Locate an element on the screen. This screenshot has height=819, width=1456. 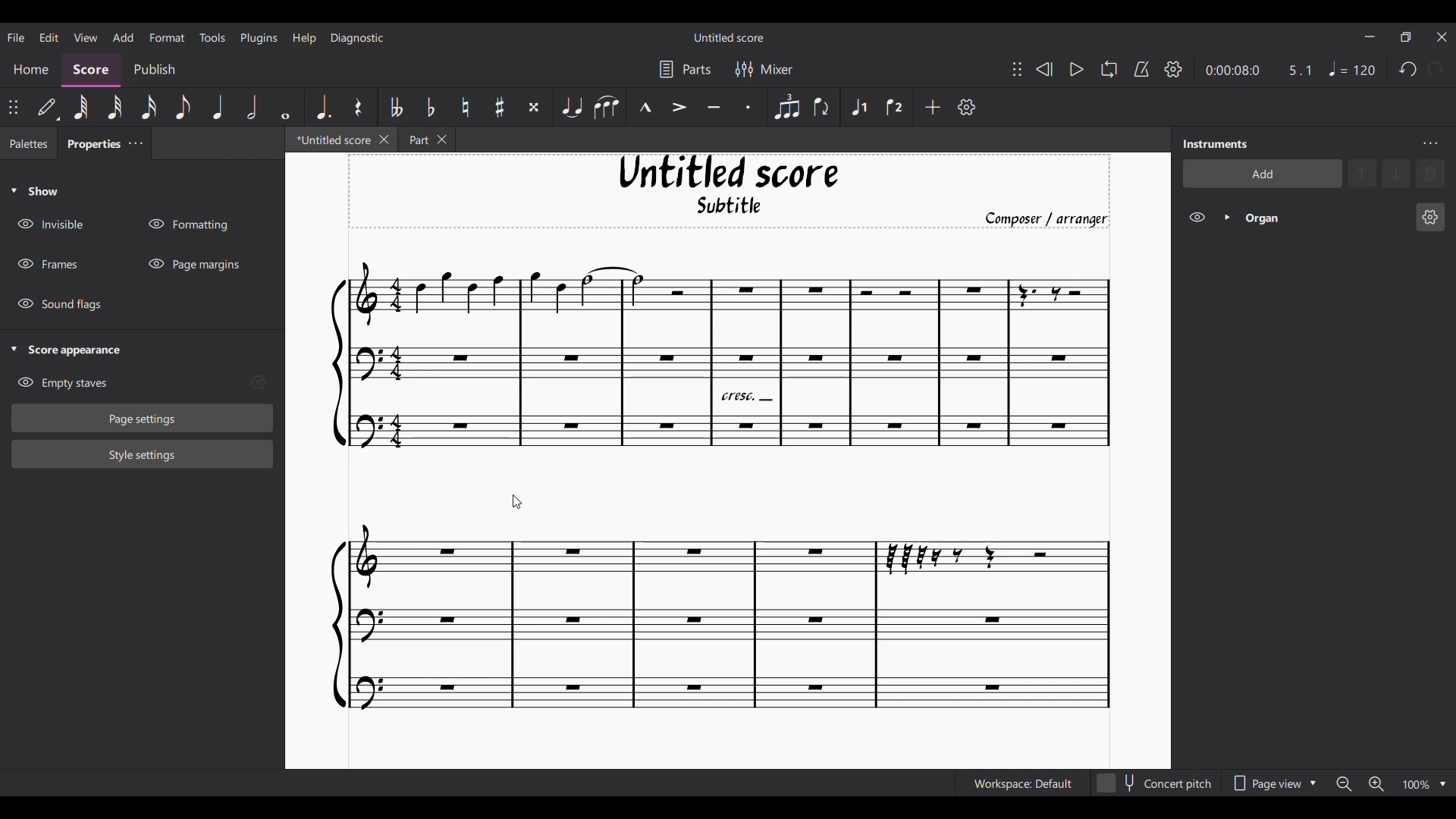
Parts settings is located at coordinates (686, 69).